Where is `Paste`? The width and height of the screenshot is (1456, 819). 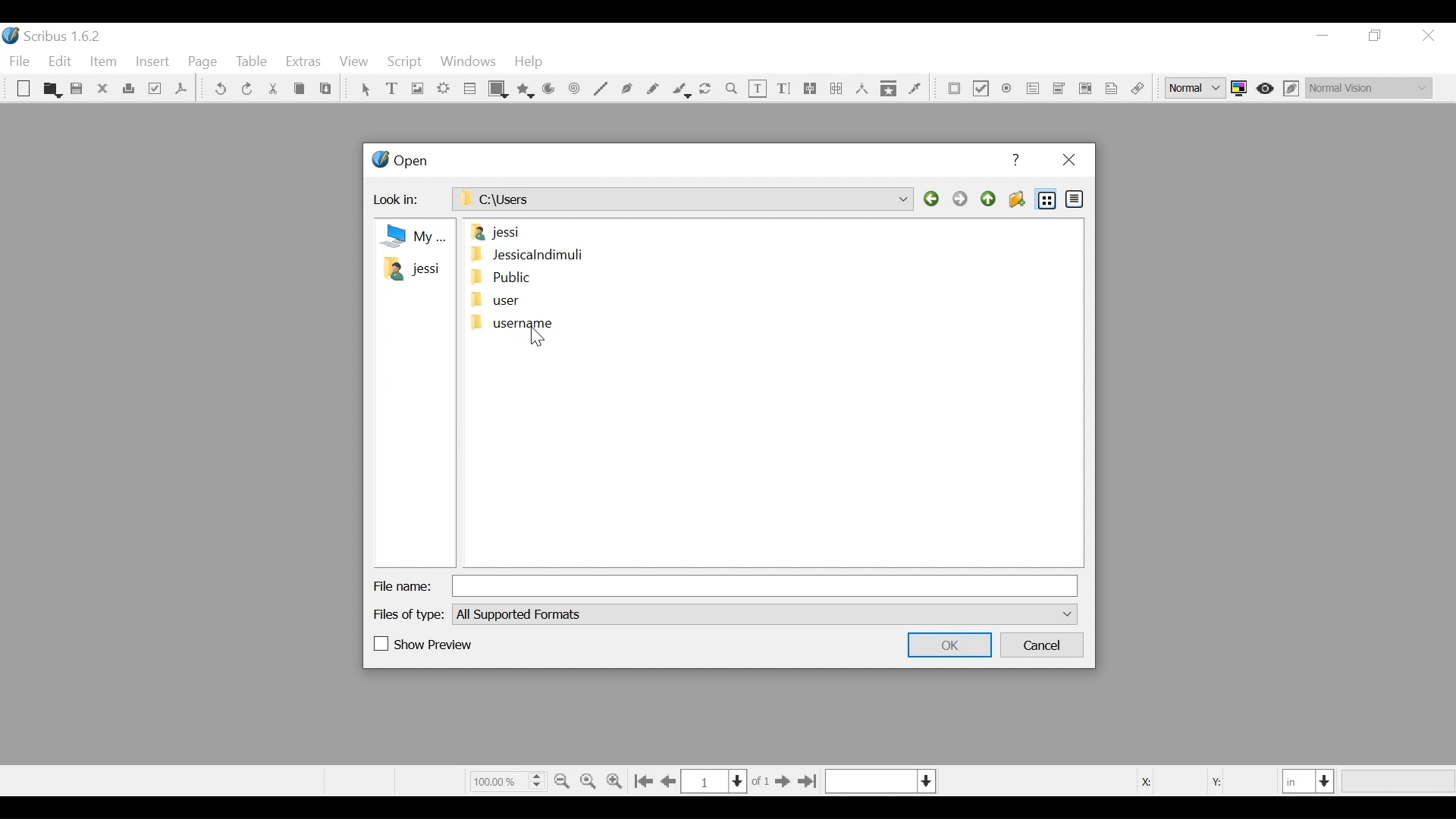
Paste is located at coordinates (326, 90).